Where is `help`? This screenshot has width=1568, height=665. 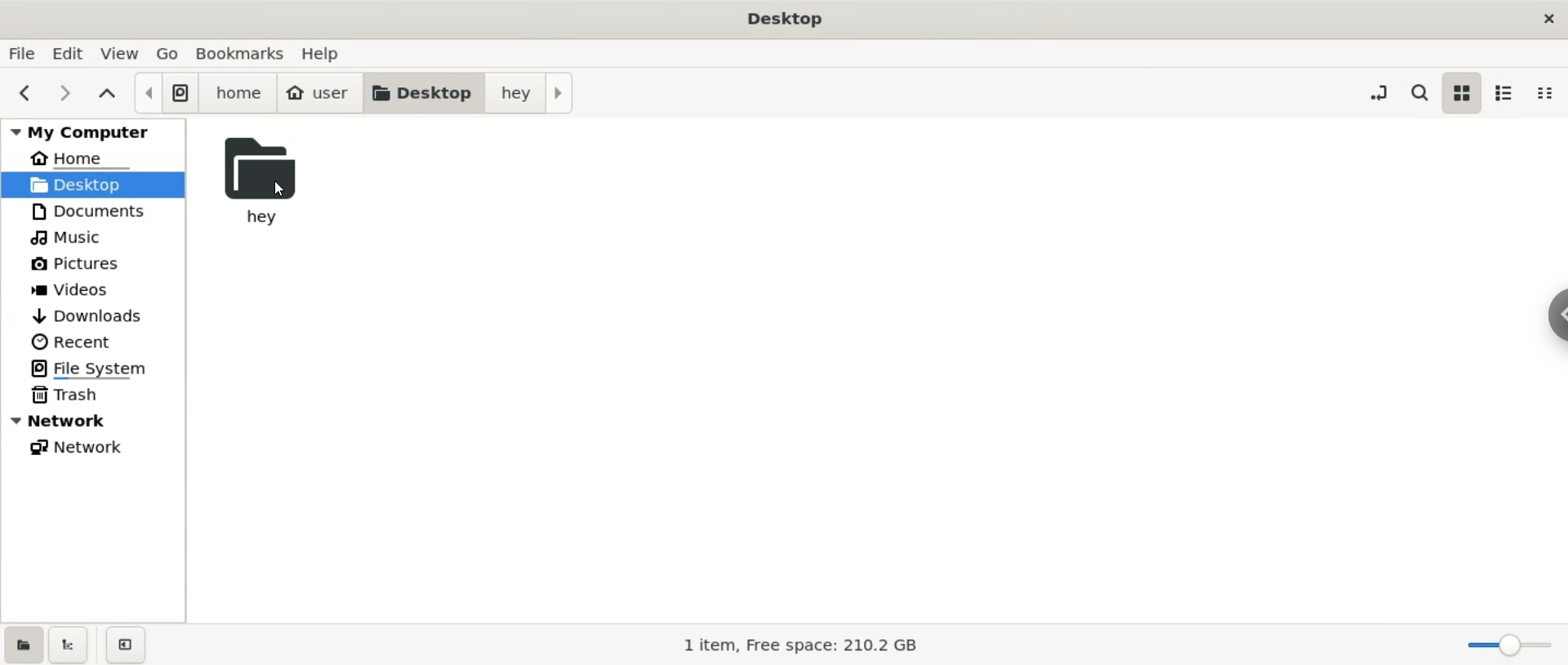 help is located at coordinates (328, 53).